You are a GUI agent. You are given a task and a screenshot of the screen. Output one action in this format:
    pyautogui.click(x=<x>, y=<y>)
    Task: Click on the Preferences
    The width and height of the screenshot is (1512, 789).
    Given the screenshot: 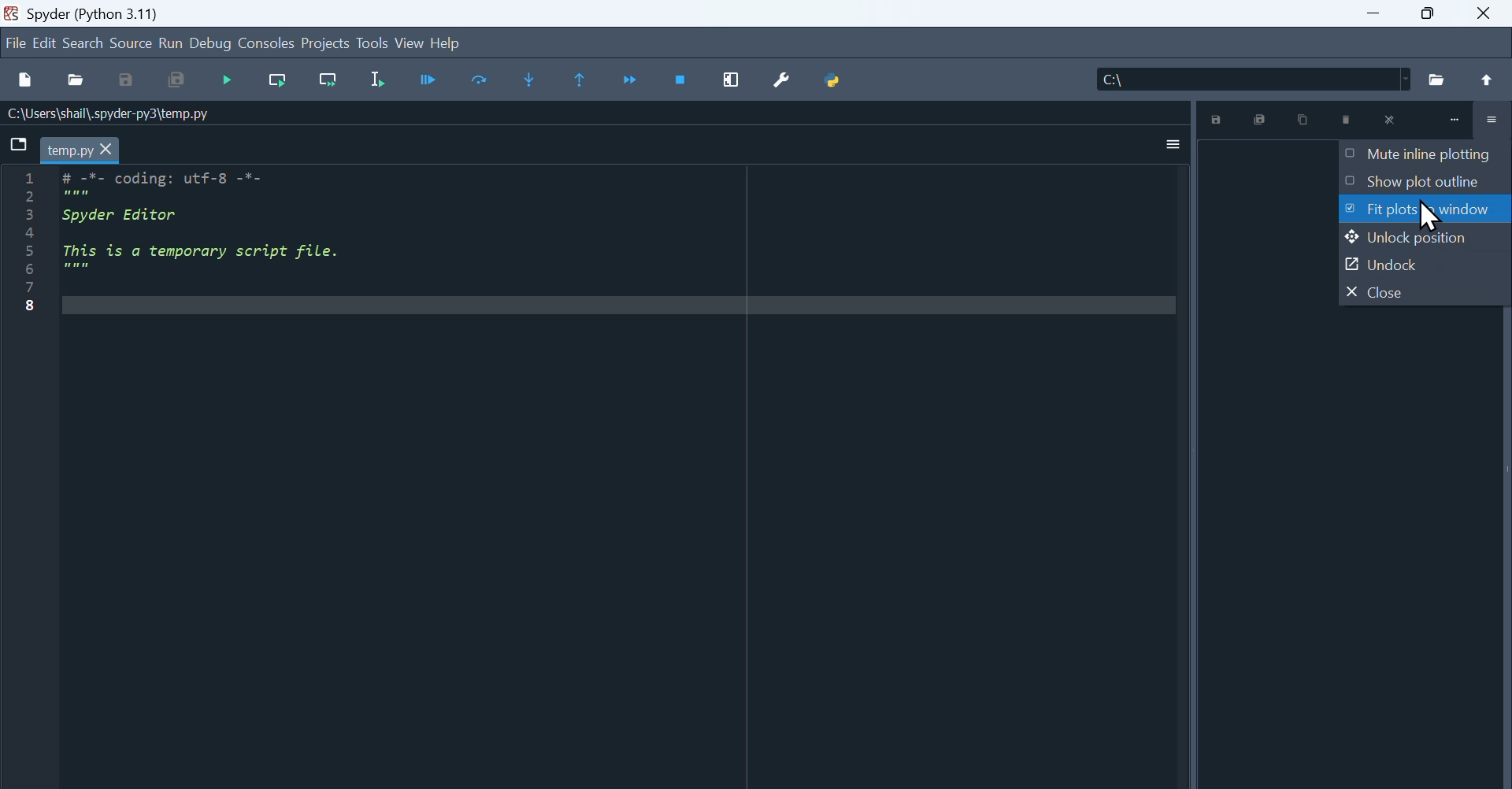 What is the action you would take?
    pyautogui.click(x=774, y=80)
    